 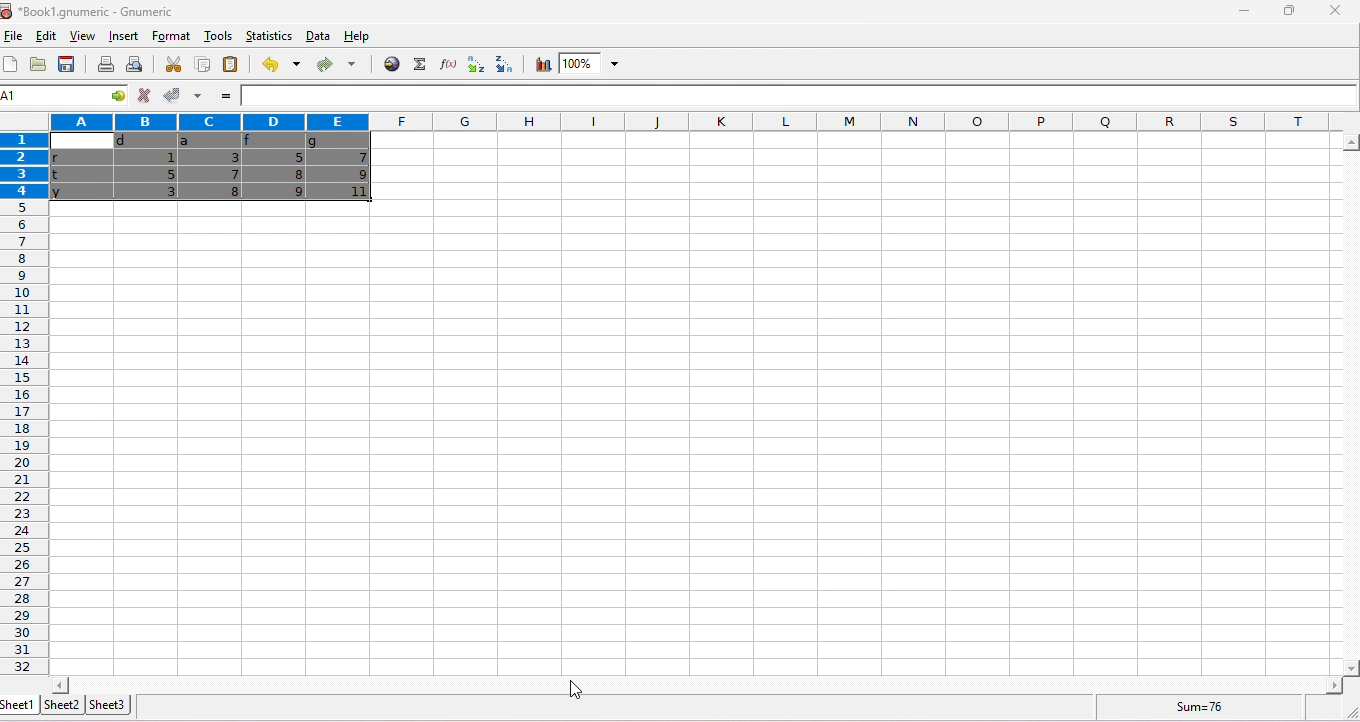 I want to click on cell functions, so click(x=109, y=97).